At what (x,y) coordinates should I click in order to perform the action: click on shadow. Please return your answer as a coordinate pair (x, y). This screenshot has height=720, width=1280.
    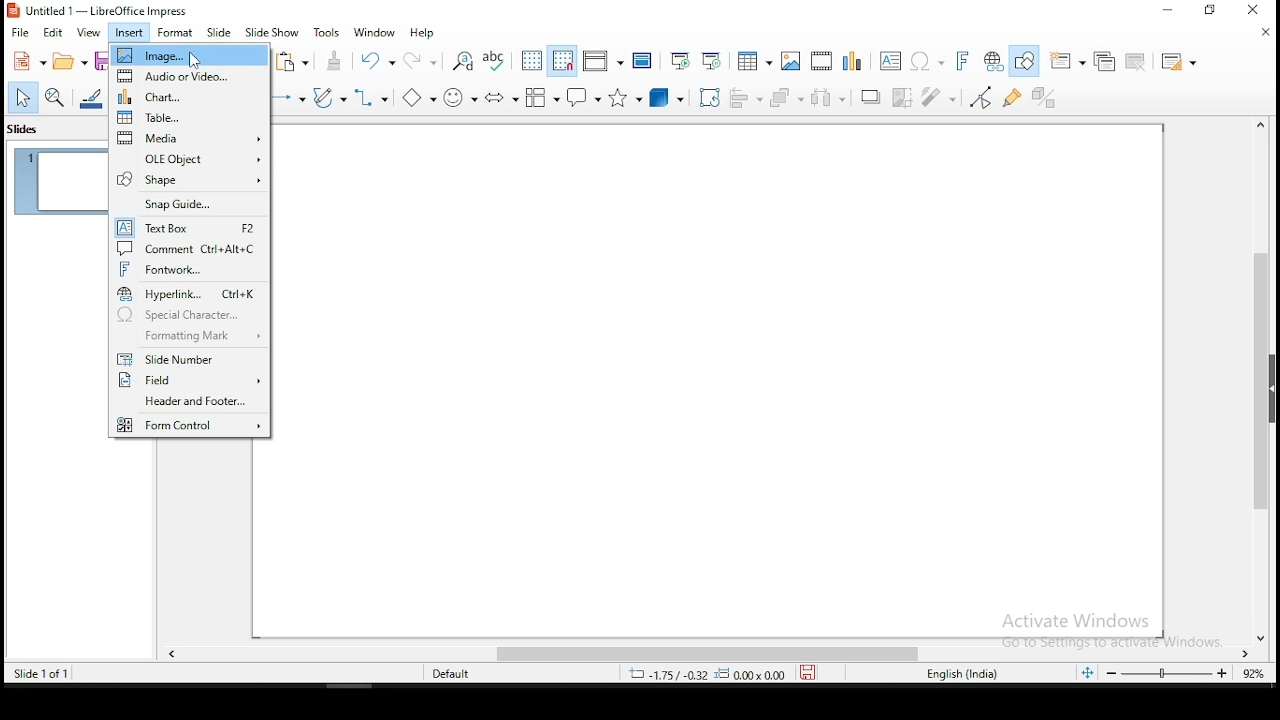
    Looking at the image, I should click on (871, 98).